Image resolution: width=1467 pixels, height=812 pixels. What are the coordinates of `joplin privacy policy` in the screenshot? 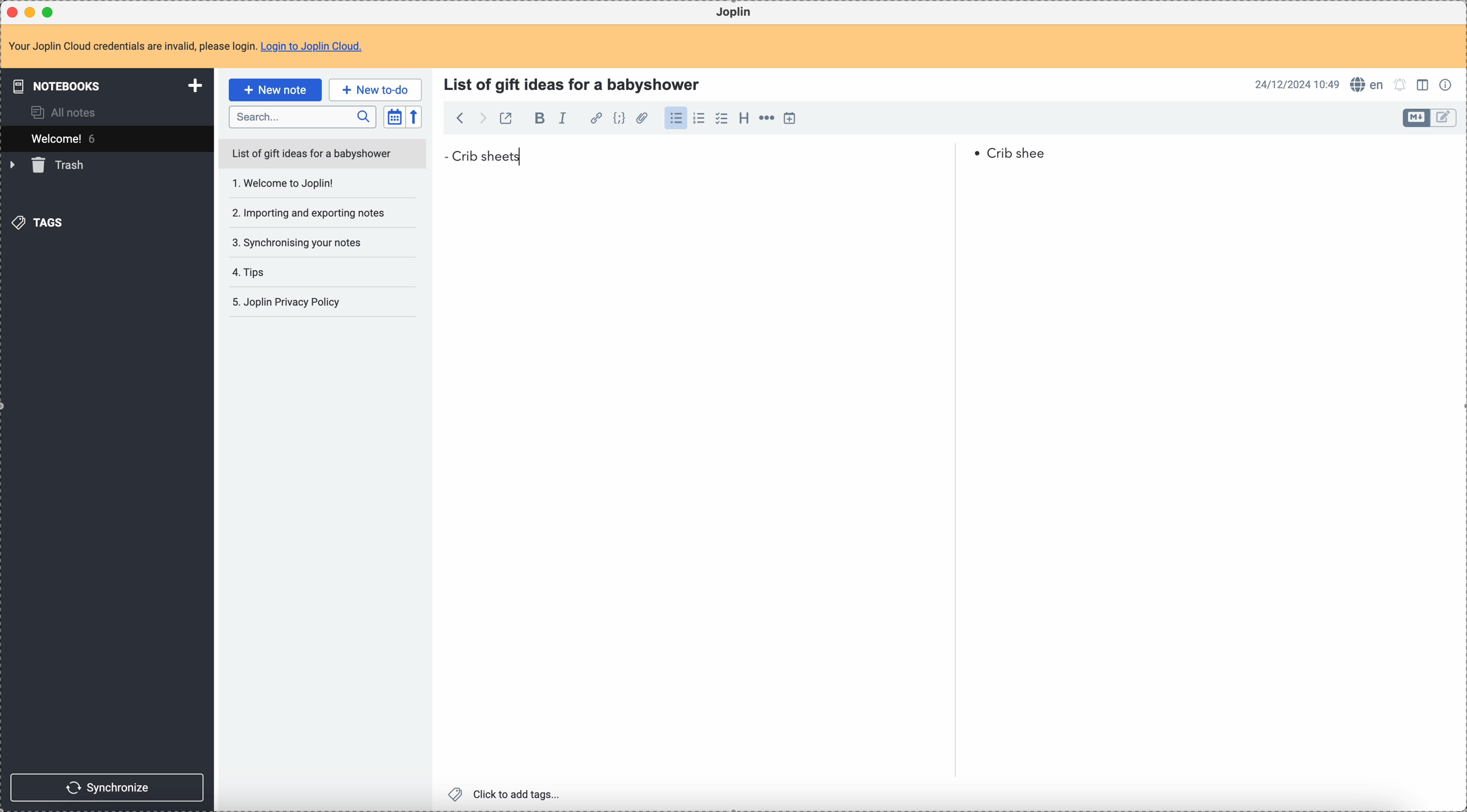 It's located at (290, 304).